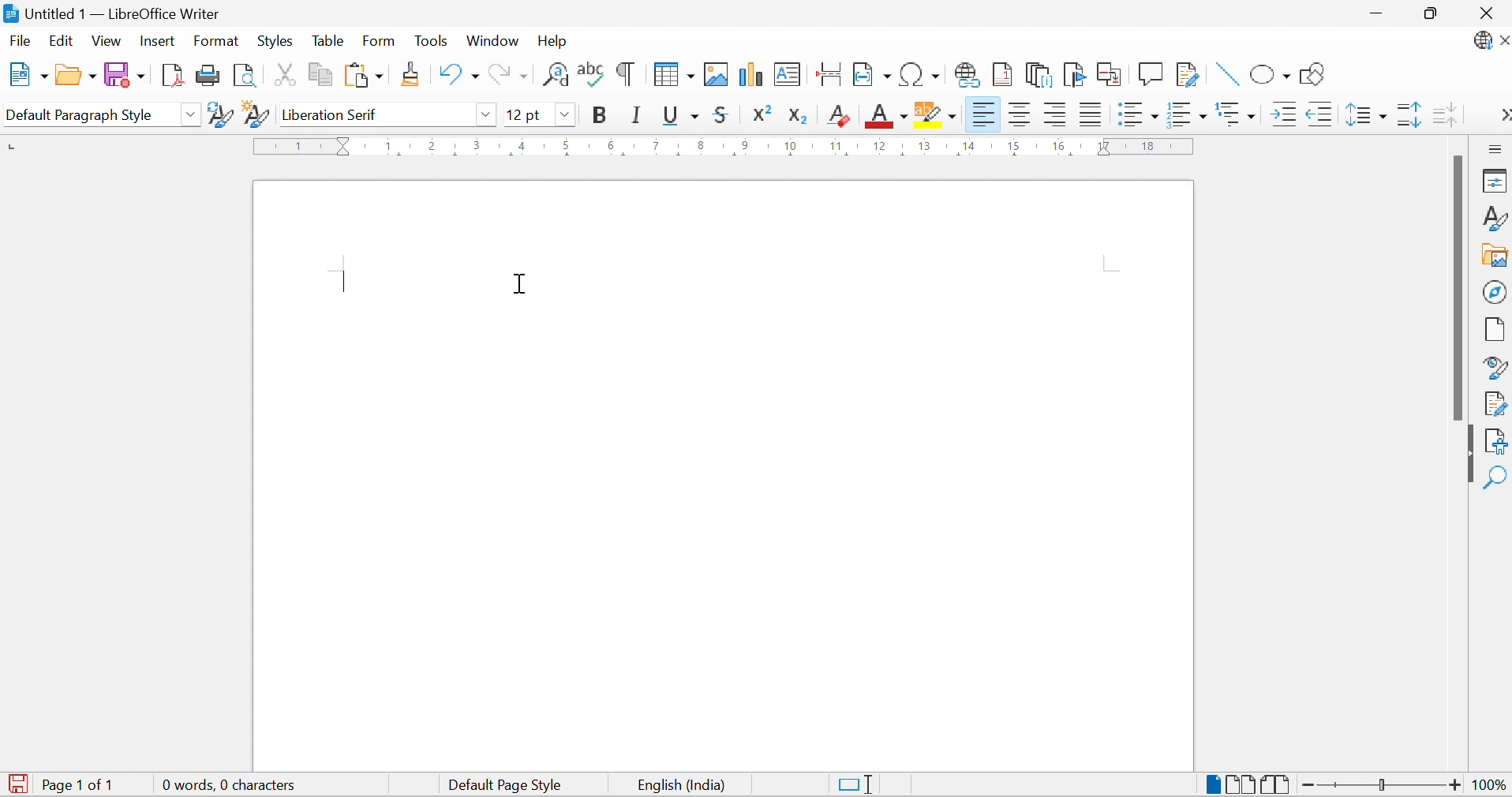 Image resolution: width=1512 pixels, height=797 pixels. I want to click on Page 1 of 1, so click(83, 785).